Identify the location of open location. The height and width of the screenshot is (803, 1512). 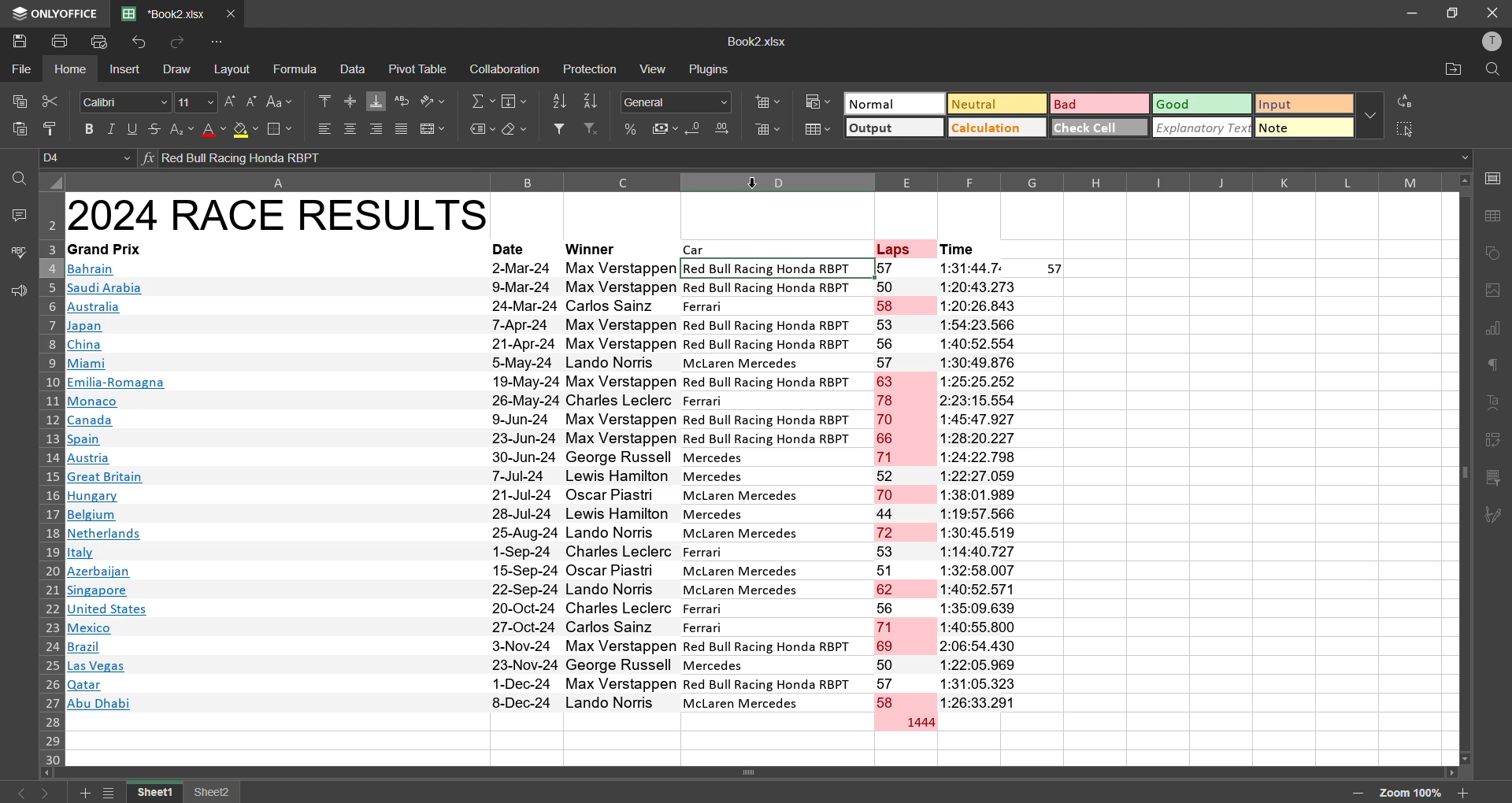
(1450, 72).